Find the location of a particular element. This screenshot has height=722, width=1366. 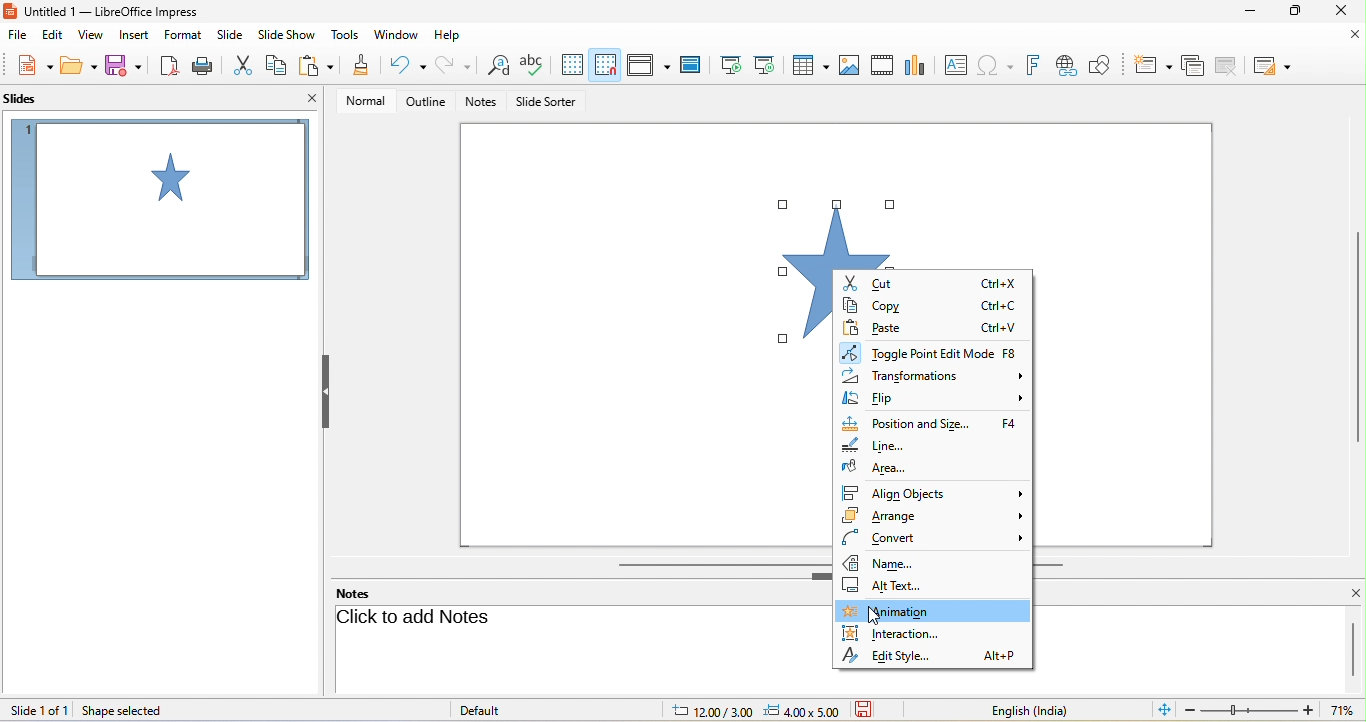

edit style is located at coordinates (931, 658).